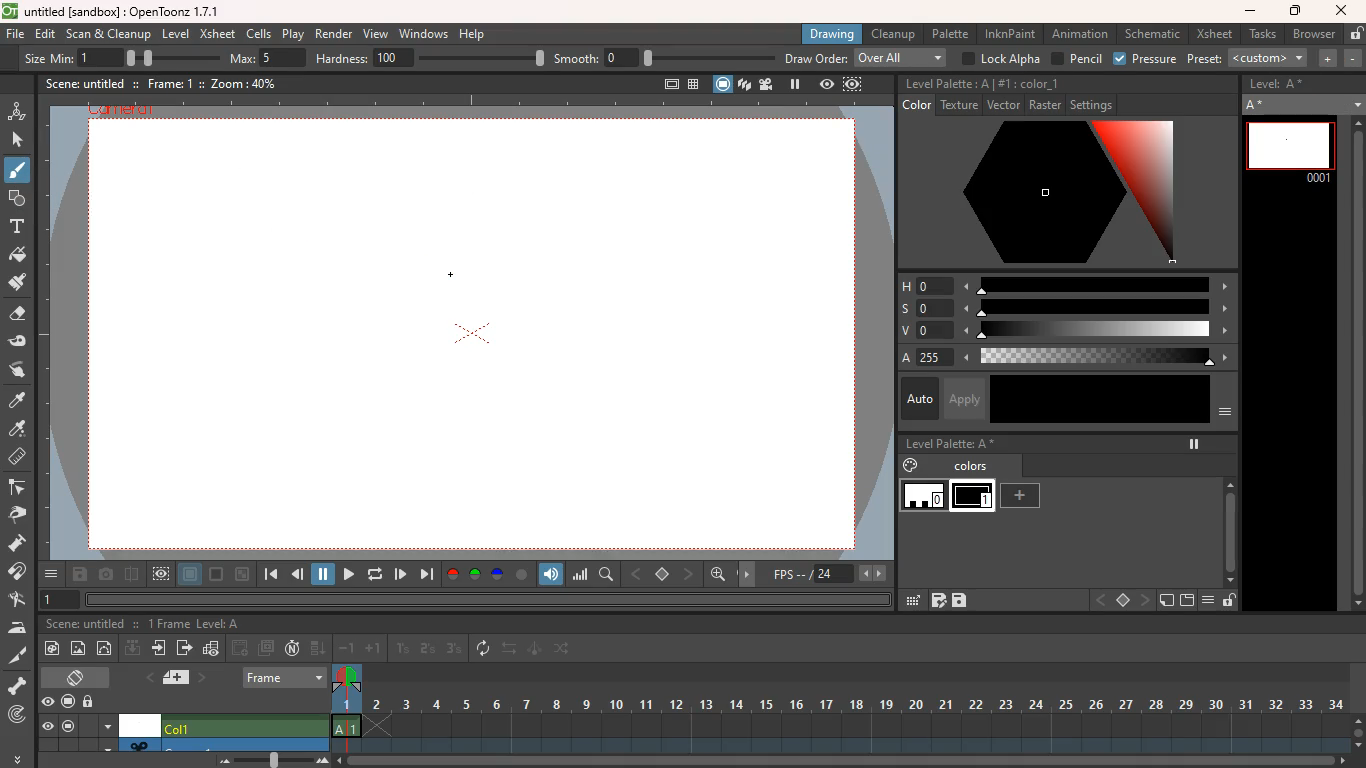 This screenshot has height=768, width=1366. I want to click on cleanup, so click(892, 34).